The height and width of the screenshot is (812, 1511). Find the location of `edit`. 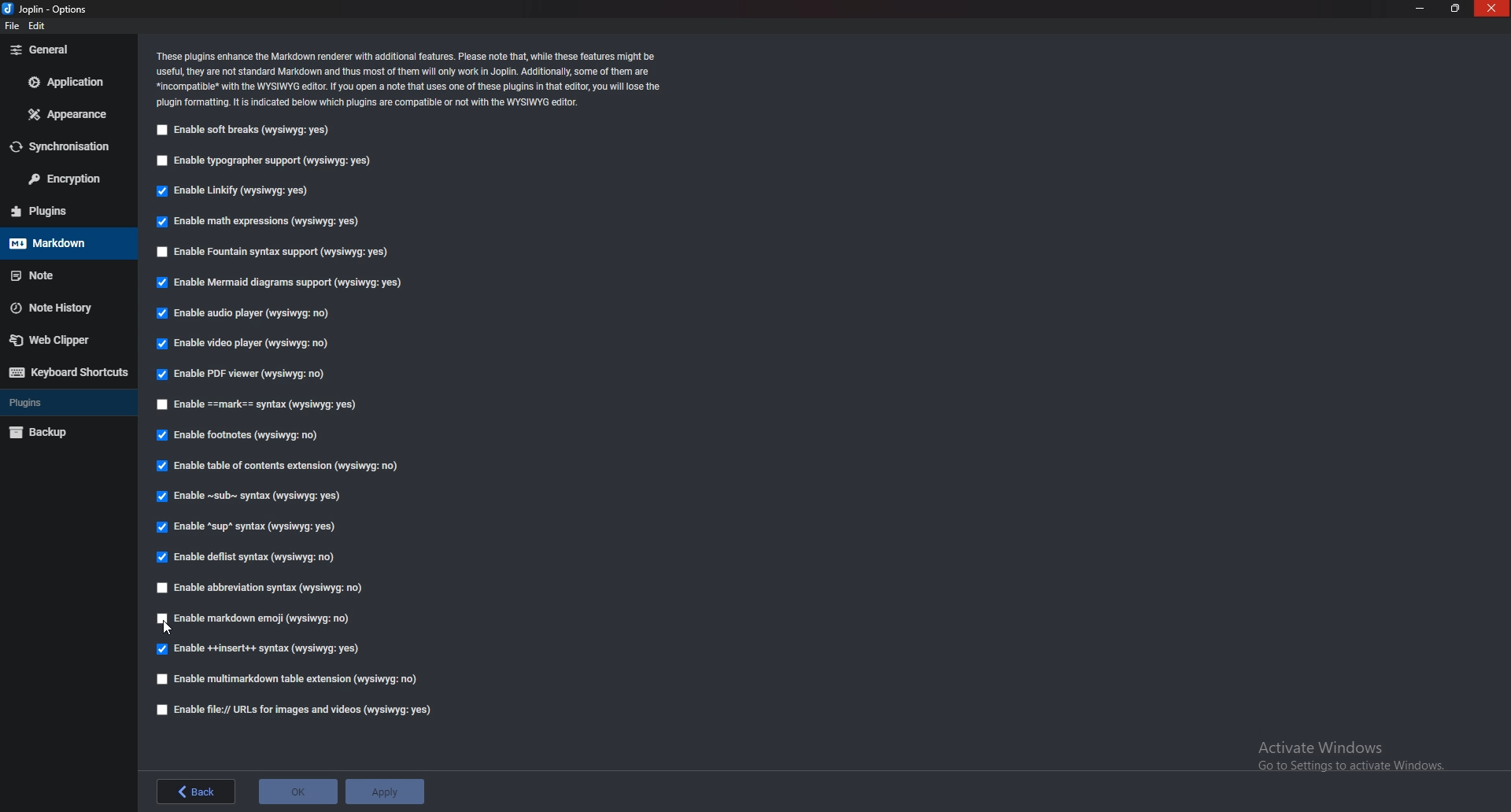

edit is located at coordinates (40, 28).